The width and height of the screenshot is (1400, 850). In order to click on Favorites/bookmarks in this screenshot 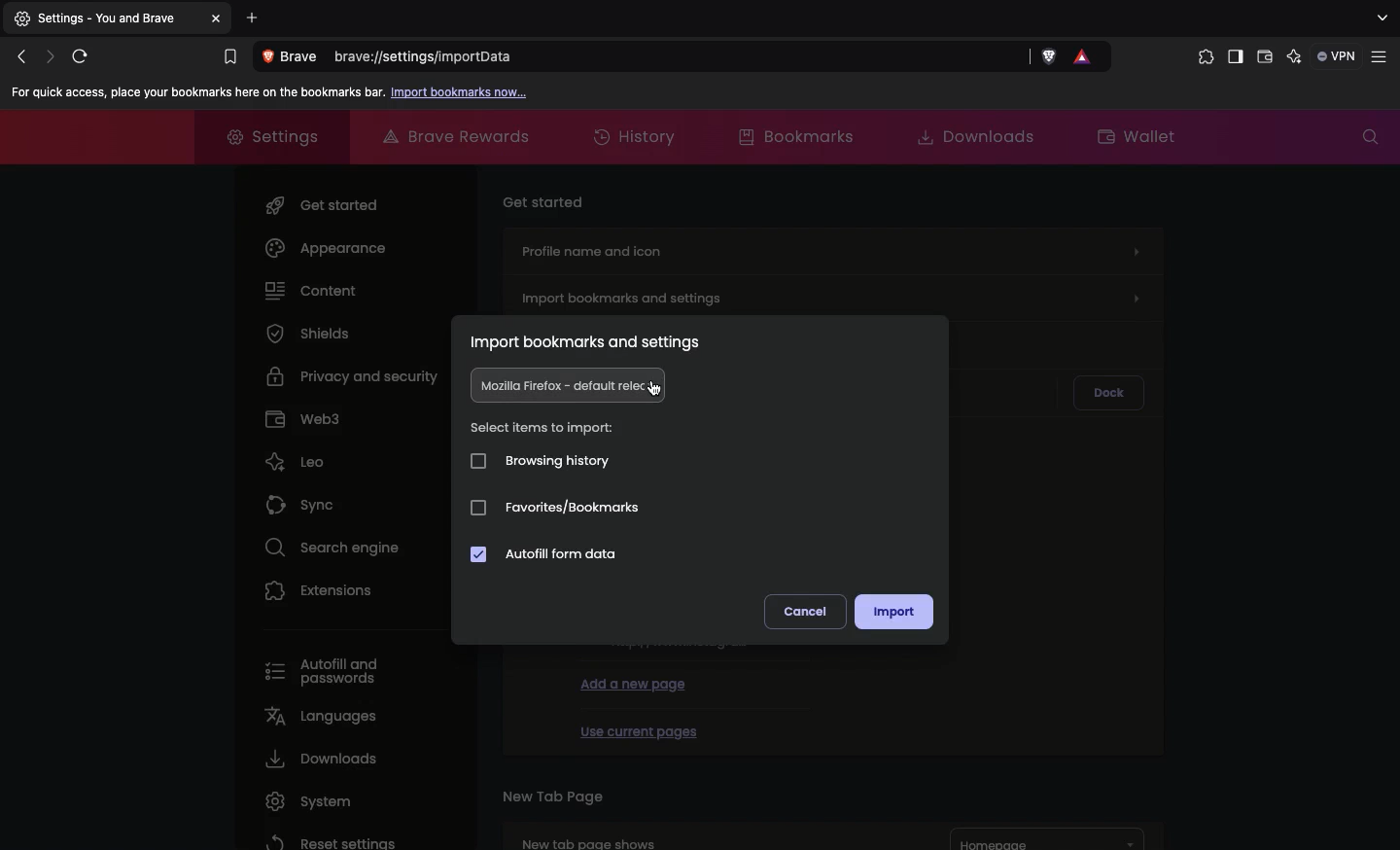, I will do `click(555, 511)`.